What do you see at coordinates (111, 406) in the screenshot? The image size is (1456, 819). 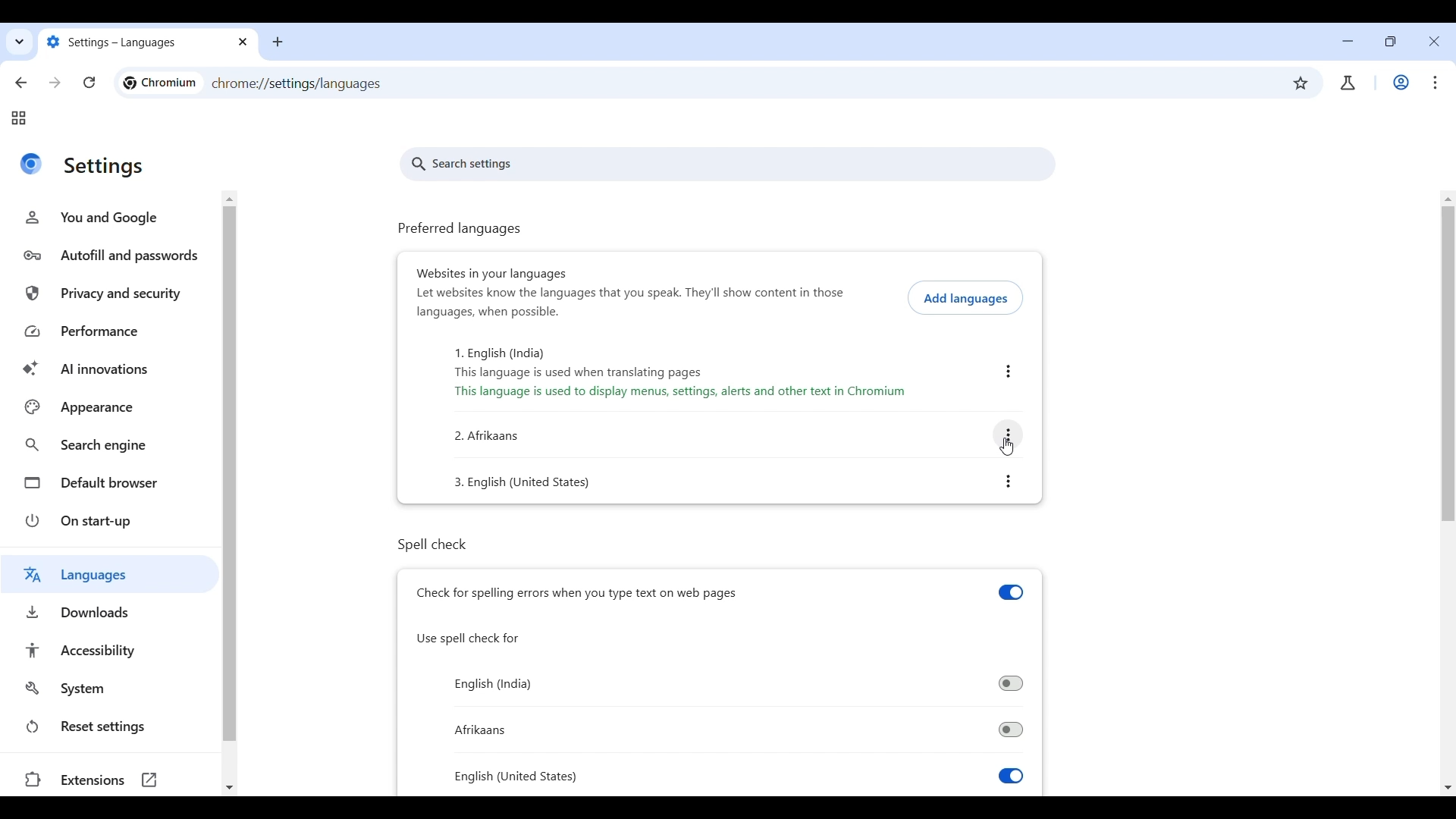 I see `Appearance` at bounding box center [111, 406].